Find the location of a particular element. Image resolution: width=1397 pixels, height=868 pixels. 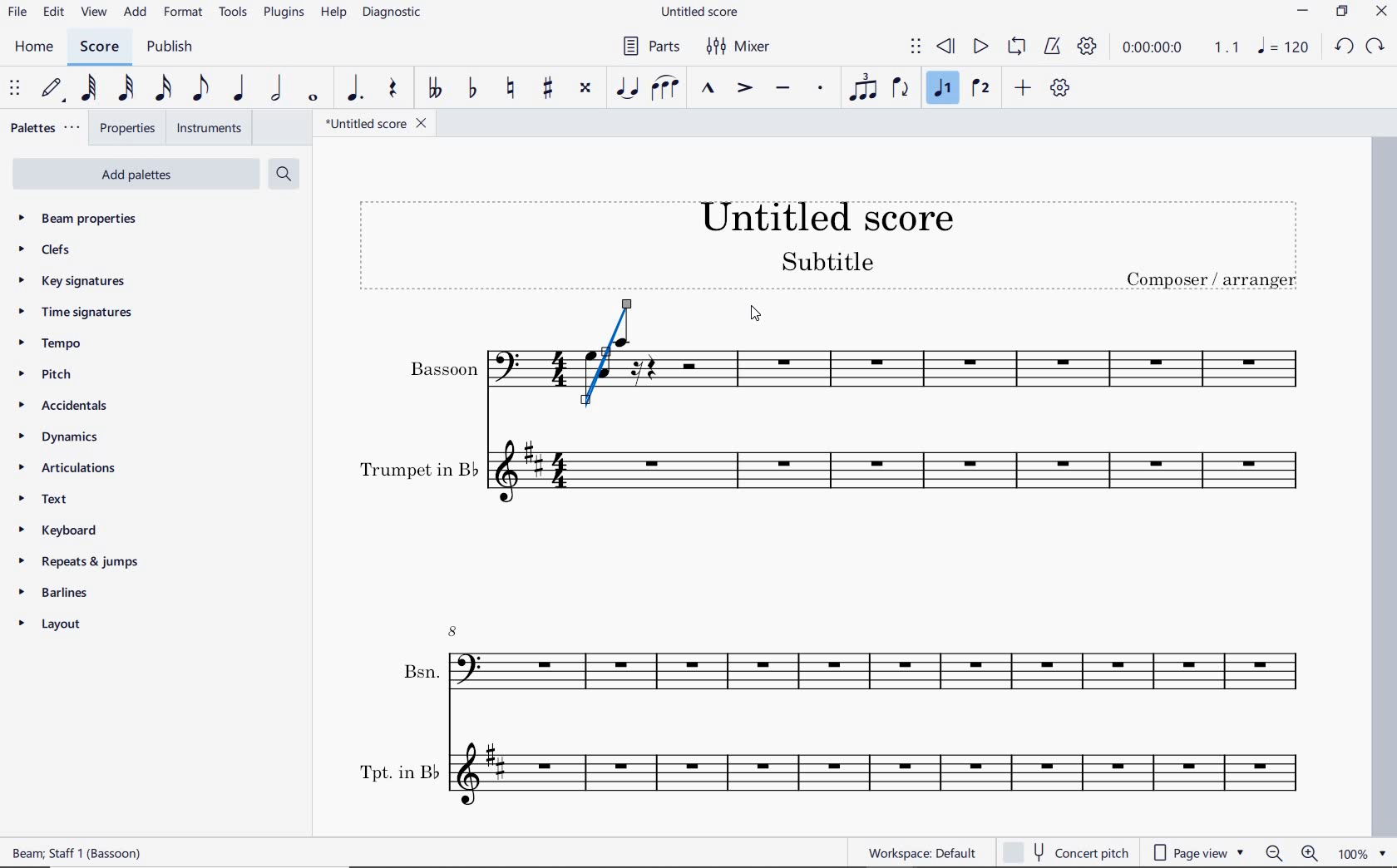

Play time is located at coordinates (1180, 46).